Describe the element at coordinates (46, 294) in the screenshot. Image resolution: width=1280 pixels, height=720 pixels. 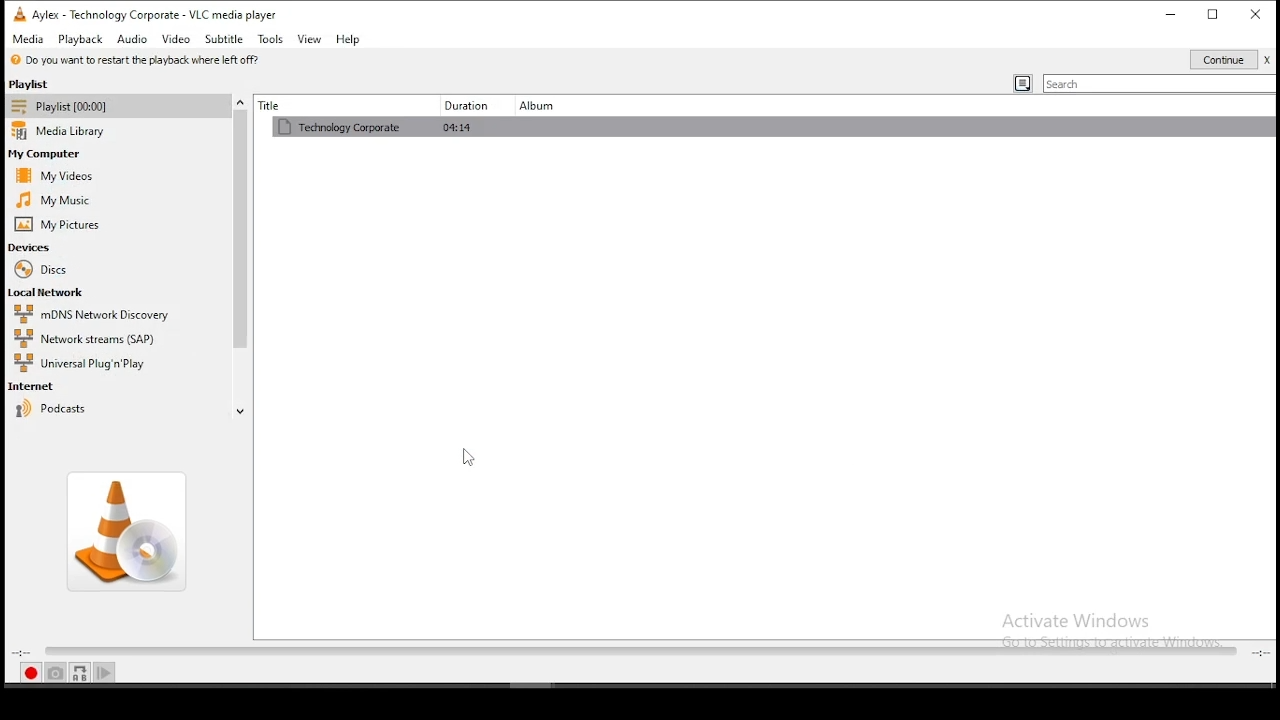
I see `local network` at that location.